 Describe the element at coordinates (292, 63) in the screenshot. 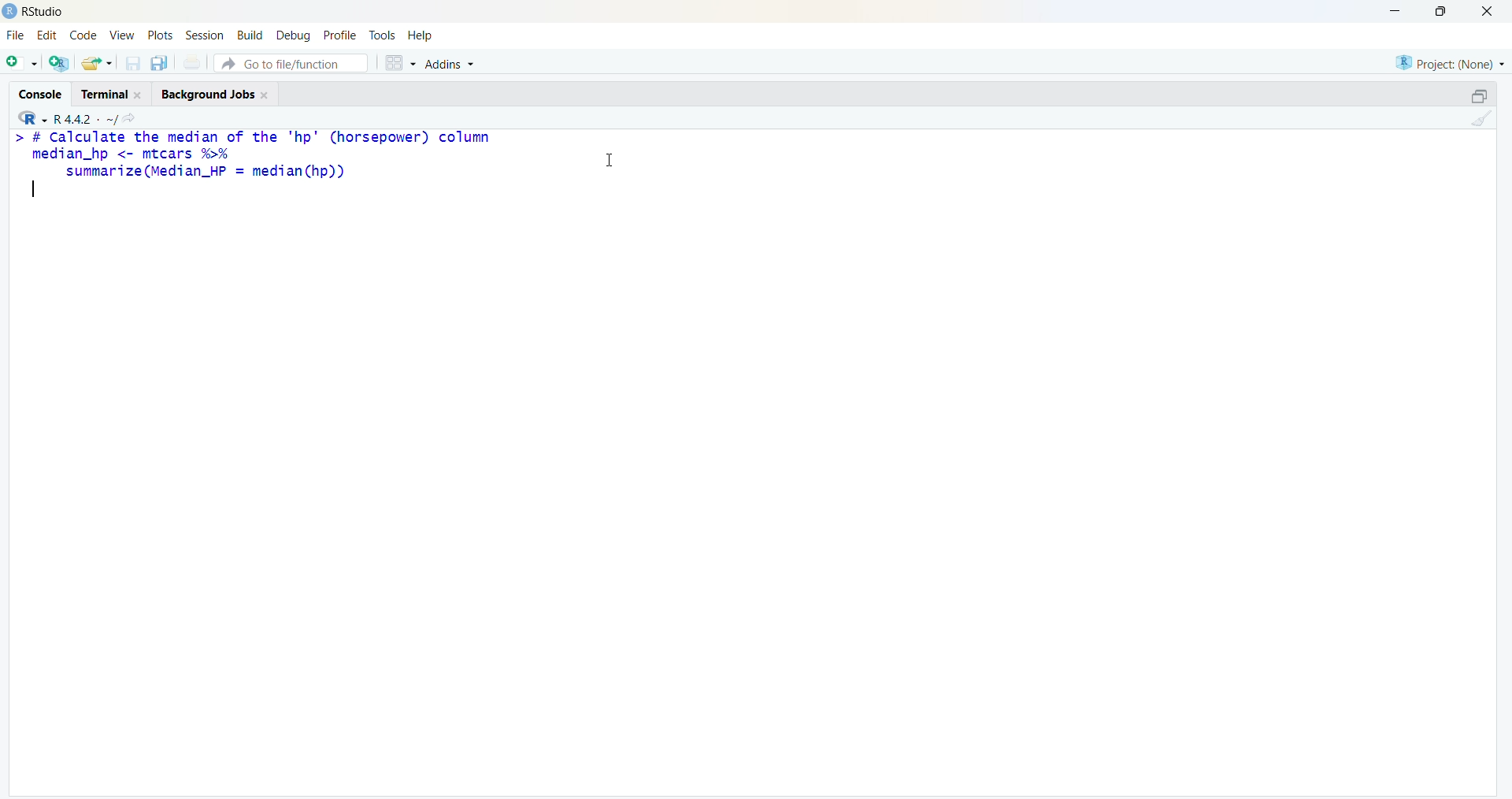

I see `go to file/function` at that location.